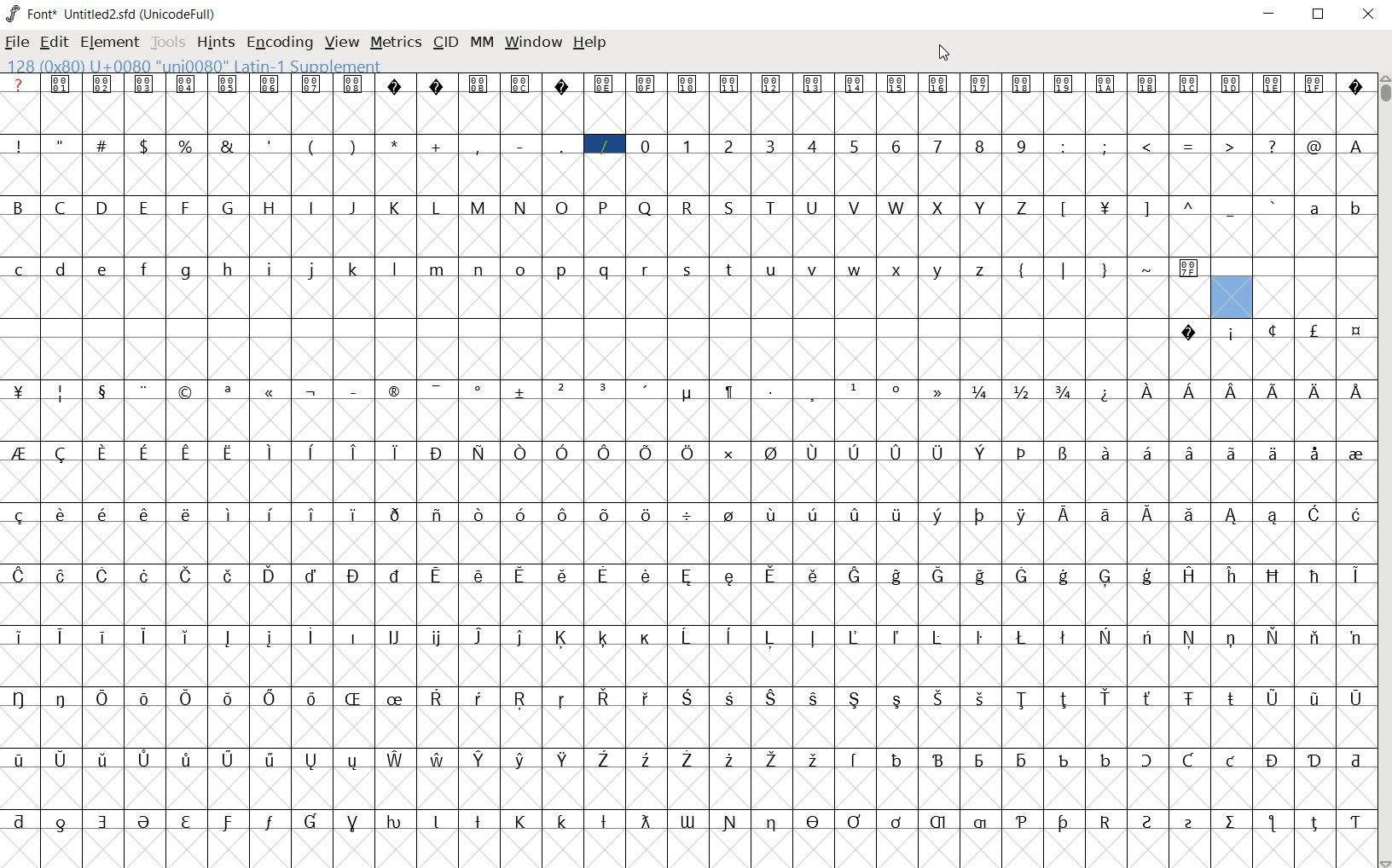 The height and width of the screenshot is (868, 1392). What do you see at coordinates (1190, 453) in the screenshot?
I see `glyph` at bounding box center [1190, 453].